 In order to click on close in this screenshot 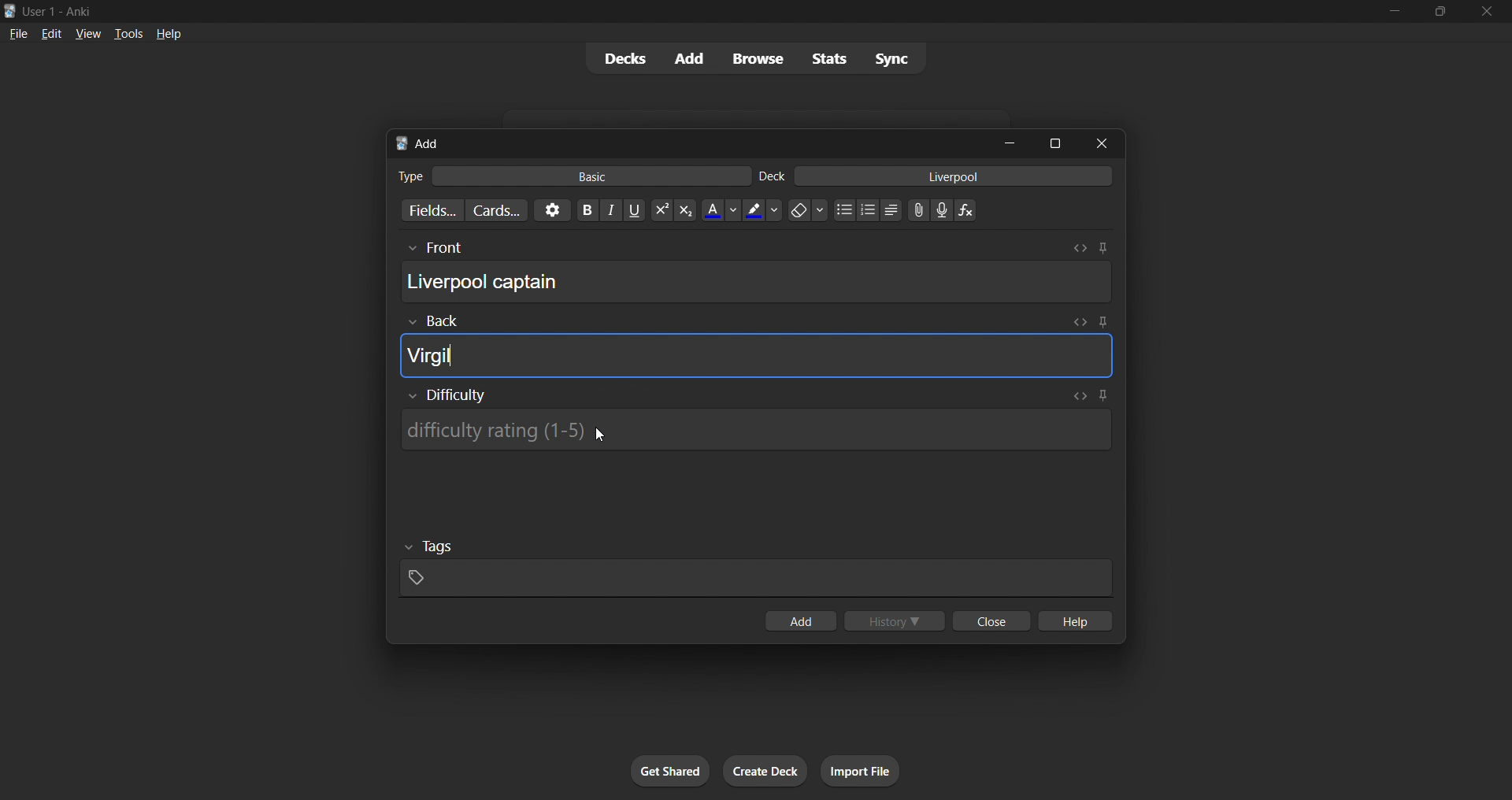, I will do `click(1102, 143)`.